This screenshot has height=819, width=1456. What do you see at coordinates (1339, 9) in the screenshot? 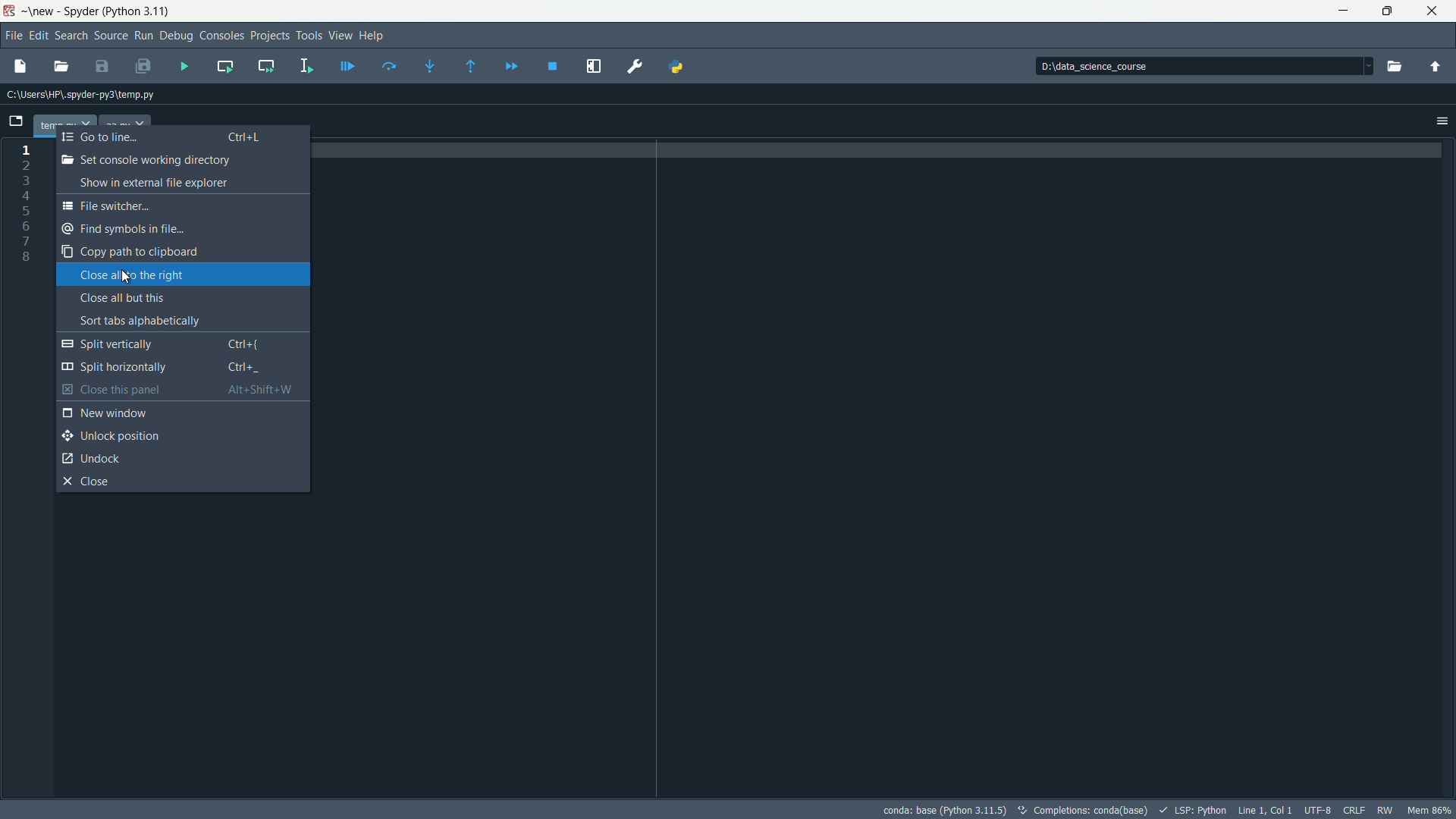
I see `minimize` at bounding box center [1339, 9].